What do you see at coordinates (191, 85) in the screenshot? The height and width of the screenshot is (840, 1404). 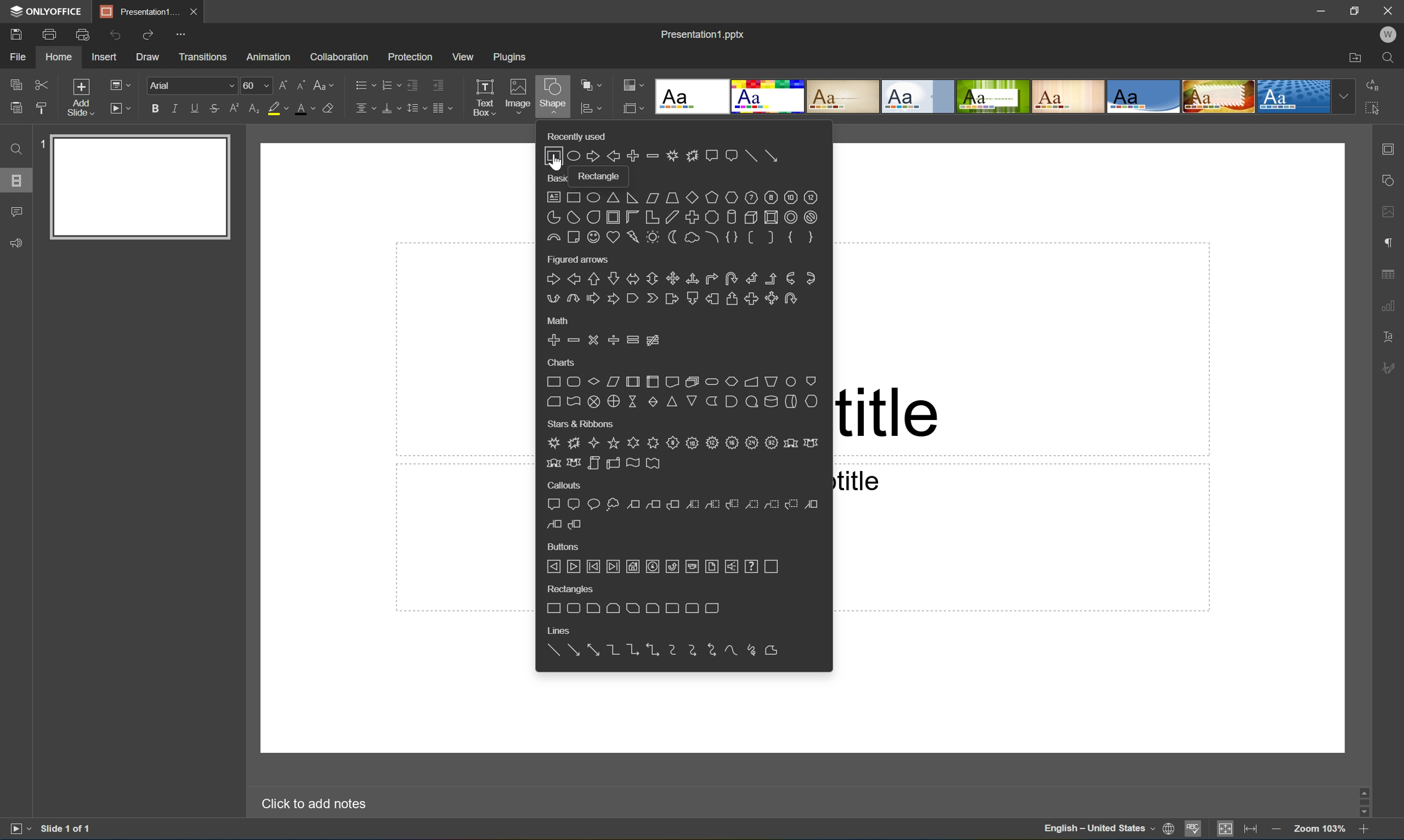 I see `Font` at bounding box center [191, 85].